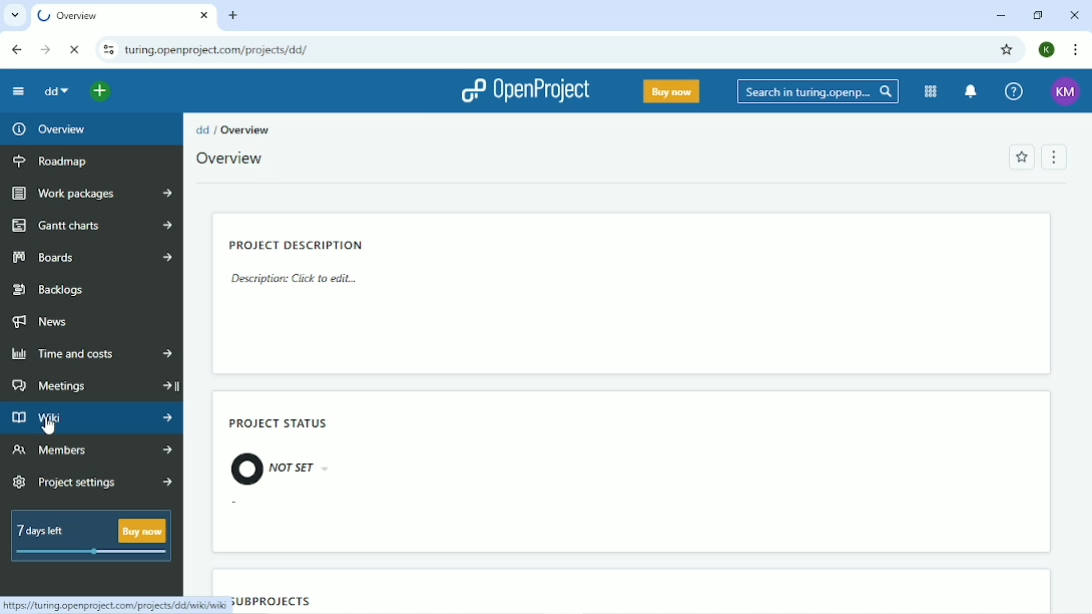 This screenshot has width=1092, height=614. What do you see at coordinates (274, 468) in the screenshot?
I see `NOT SET` at bounding box center [274, 468].